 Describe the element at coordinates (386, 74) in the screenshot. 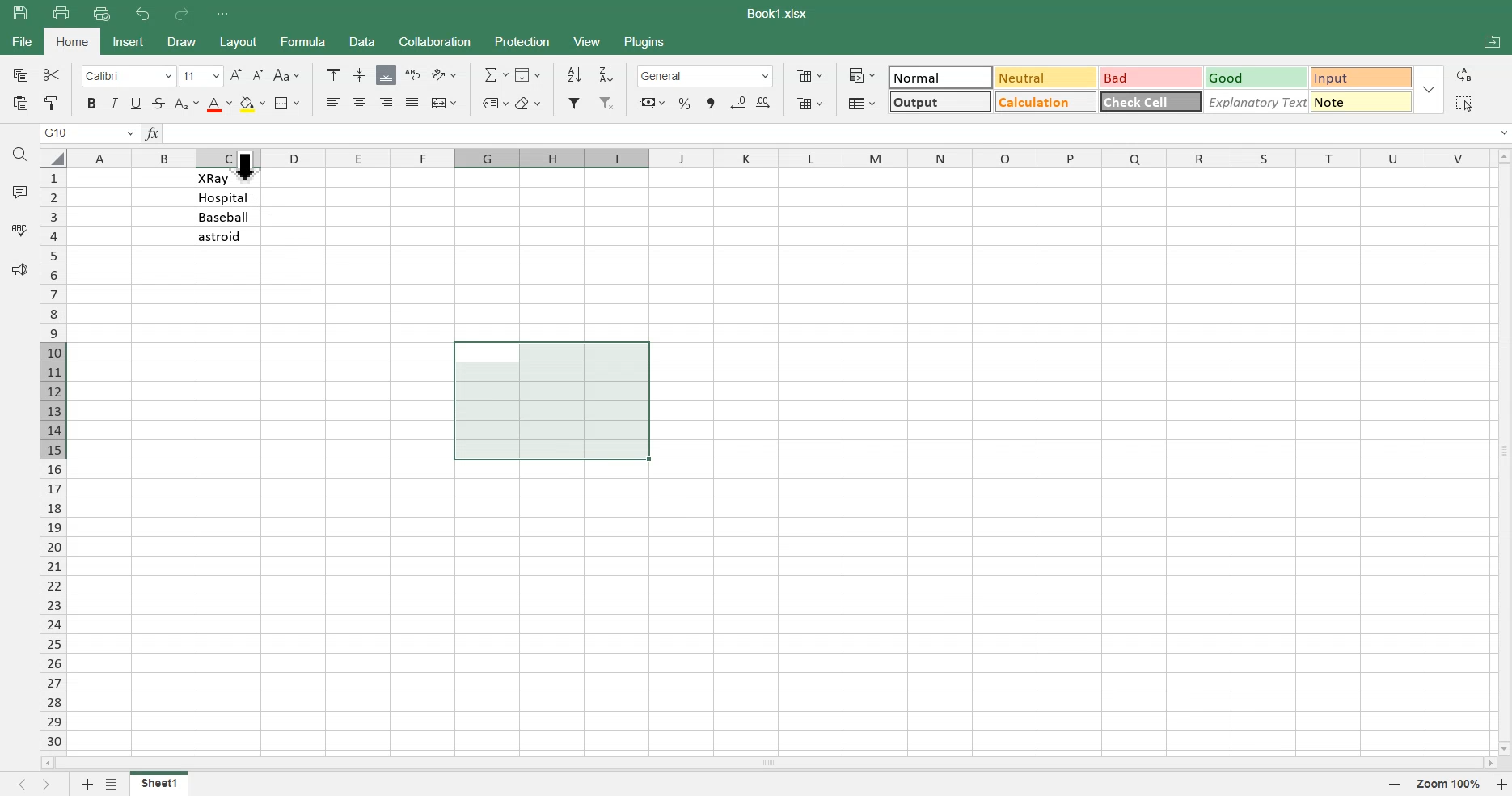

I see `Align Bottom` at that location.